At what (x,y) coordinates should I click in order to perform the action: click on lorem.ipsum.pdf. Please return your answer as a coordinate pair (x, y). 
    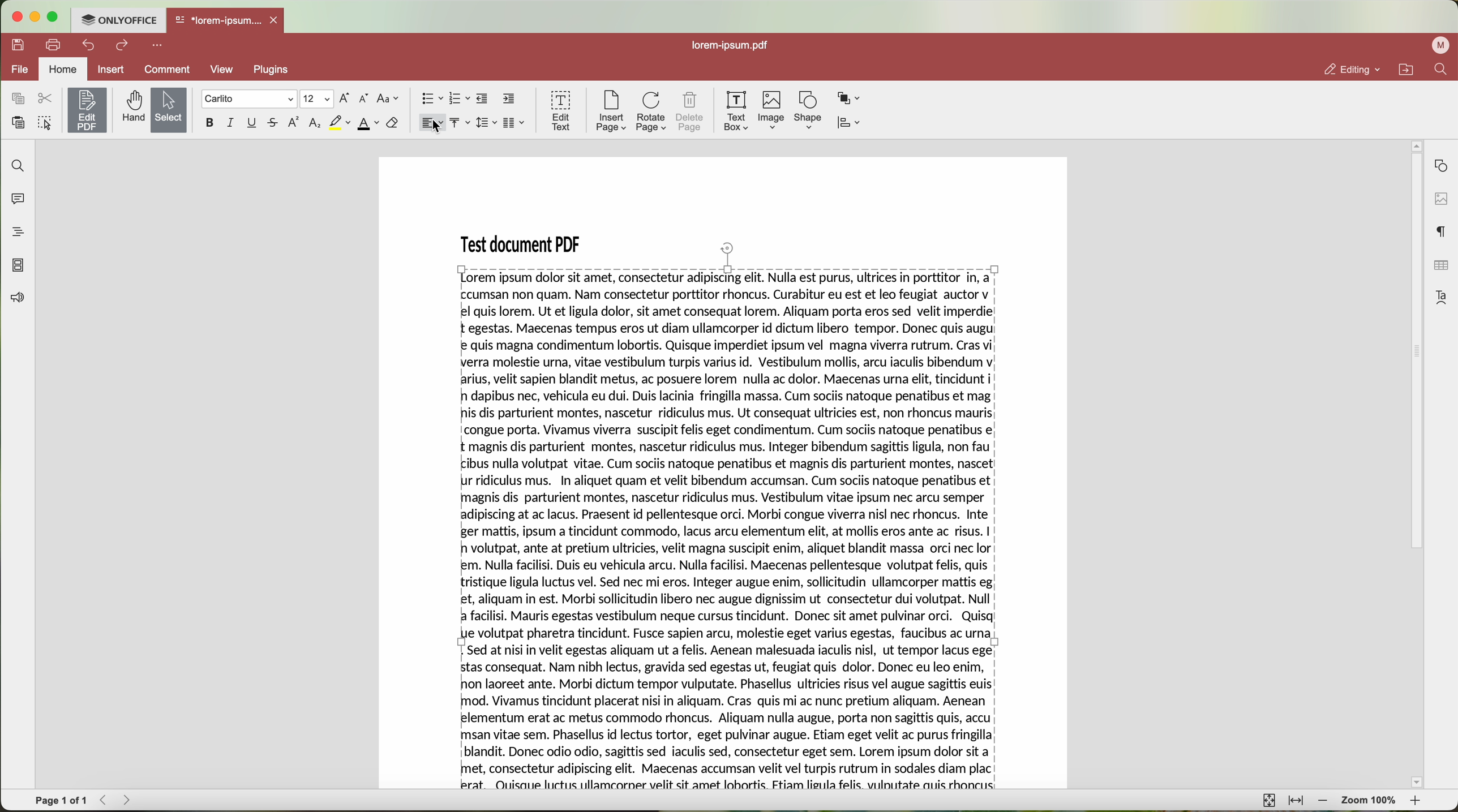
    Looking at the image, I should click on (734, 46).